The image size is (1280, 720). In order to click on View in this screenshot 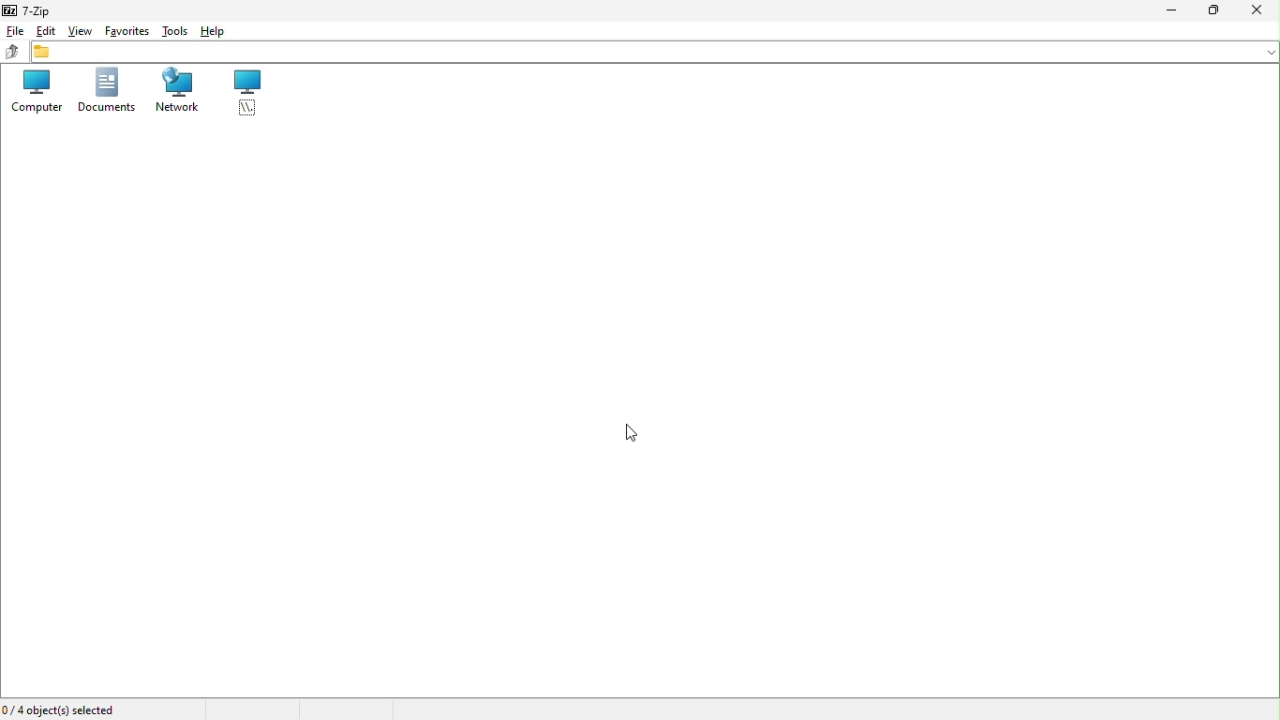, I will do `click(82, 31)`.